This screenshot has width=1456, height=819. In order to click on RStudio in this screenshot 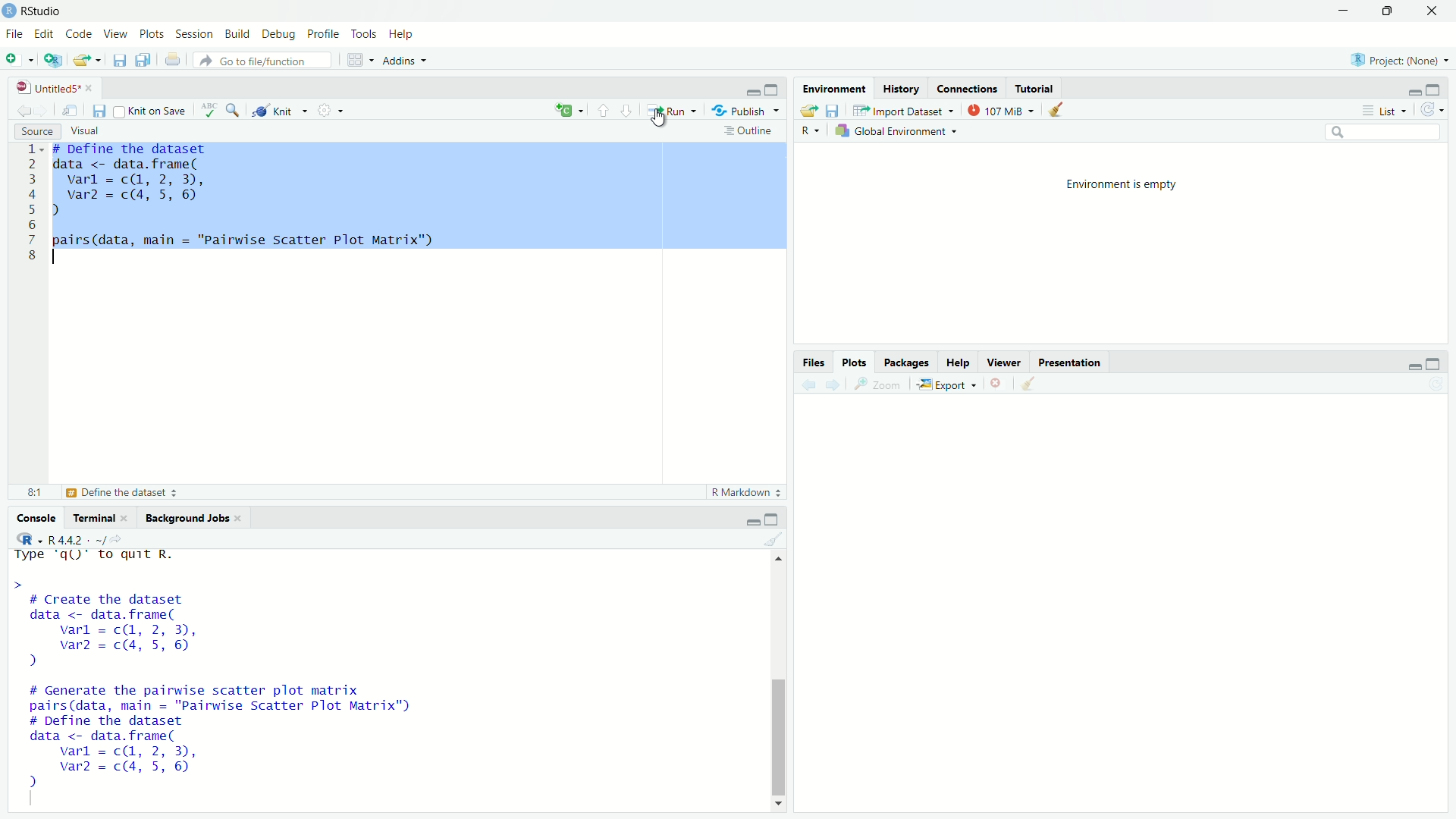, I will do `click(38, 11)`.